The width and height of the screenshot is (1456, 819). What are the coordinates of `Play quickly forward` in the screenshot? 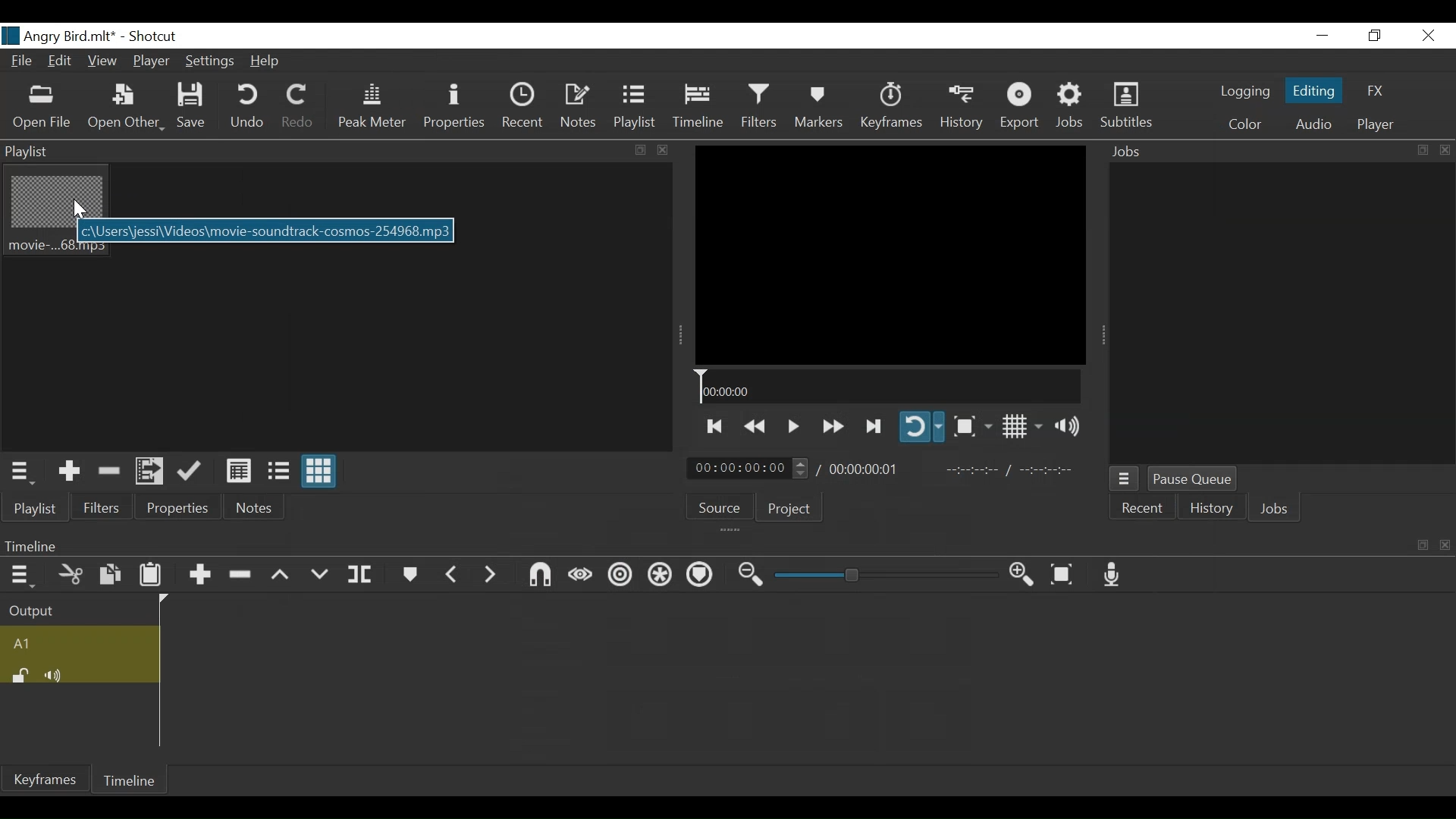 It's located at (831, 425).